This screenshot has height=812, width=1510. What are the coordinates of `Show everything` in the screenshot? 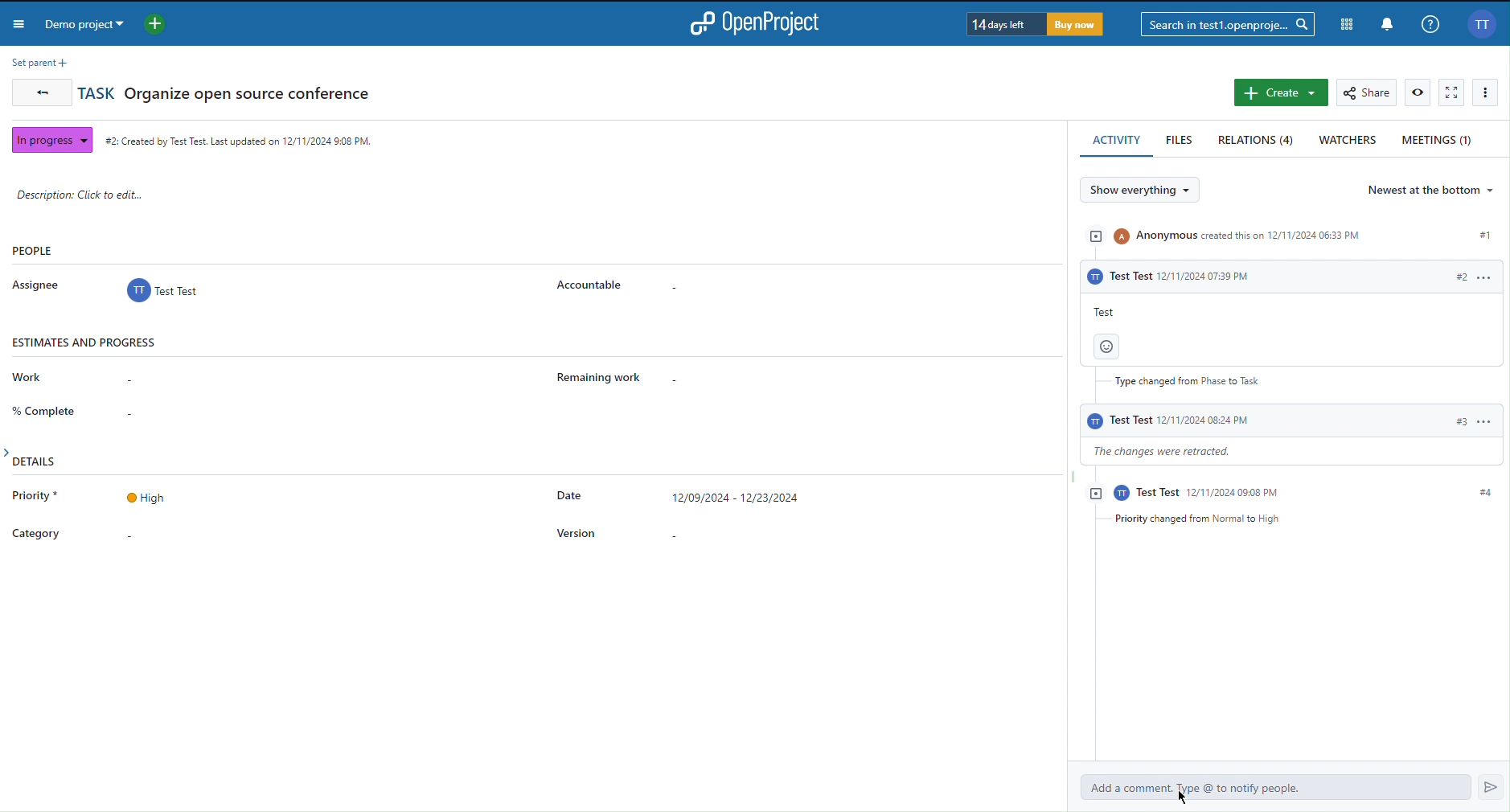 It's located at (1147, 191).